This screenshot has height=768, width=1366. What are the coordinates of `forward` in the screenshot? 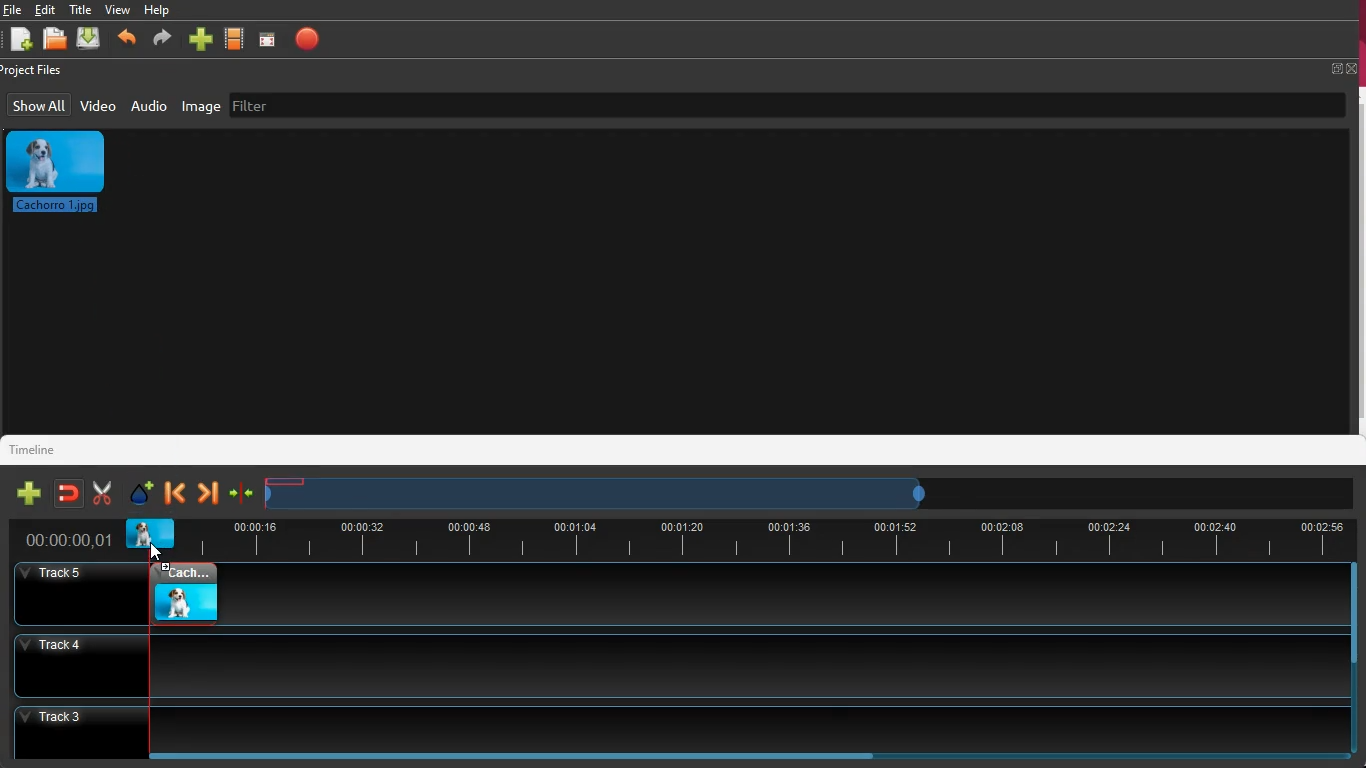 It's located at (209, 490).